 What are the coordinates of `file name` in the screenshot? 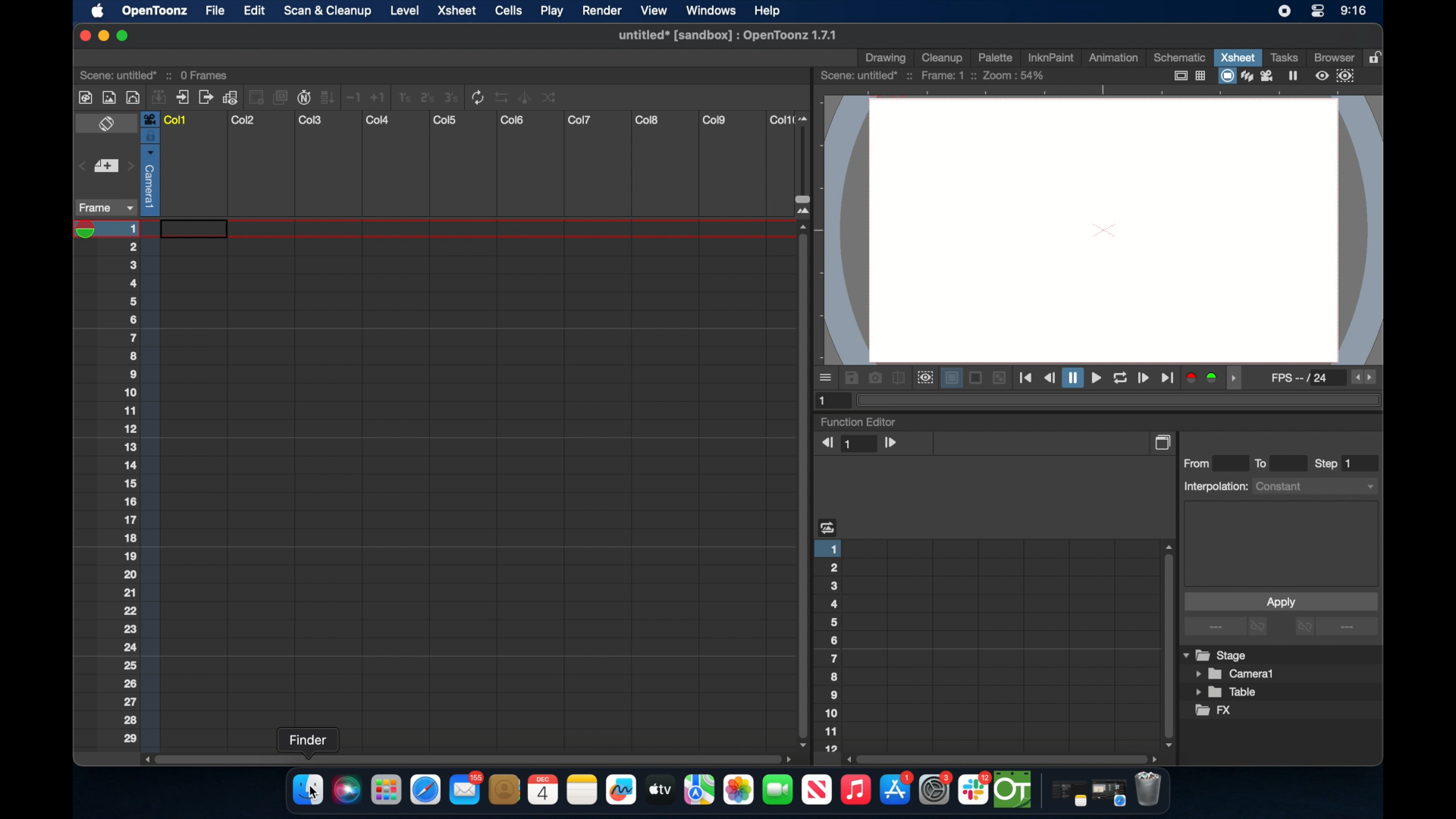 It's located at (724, 36).